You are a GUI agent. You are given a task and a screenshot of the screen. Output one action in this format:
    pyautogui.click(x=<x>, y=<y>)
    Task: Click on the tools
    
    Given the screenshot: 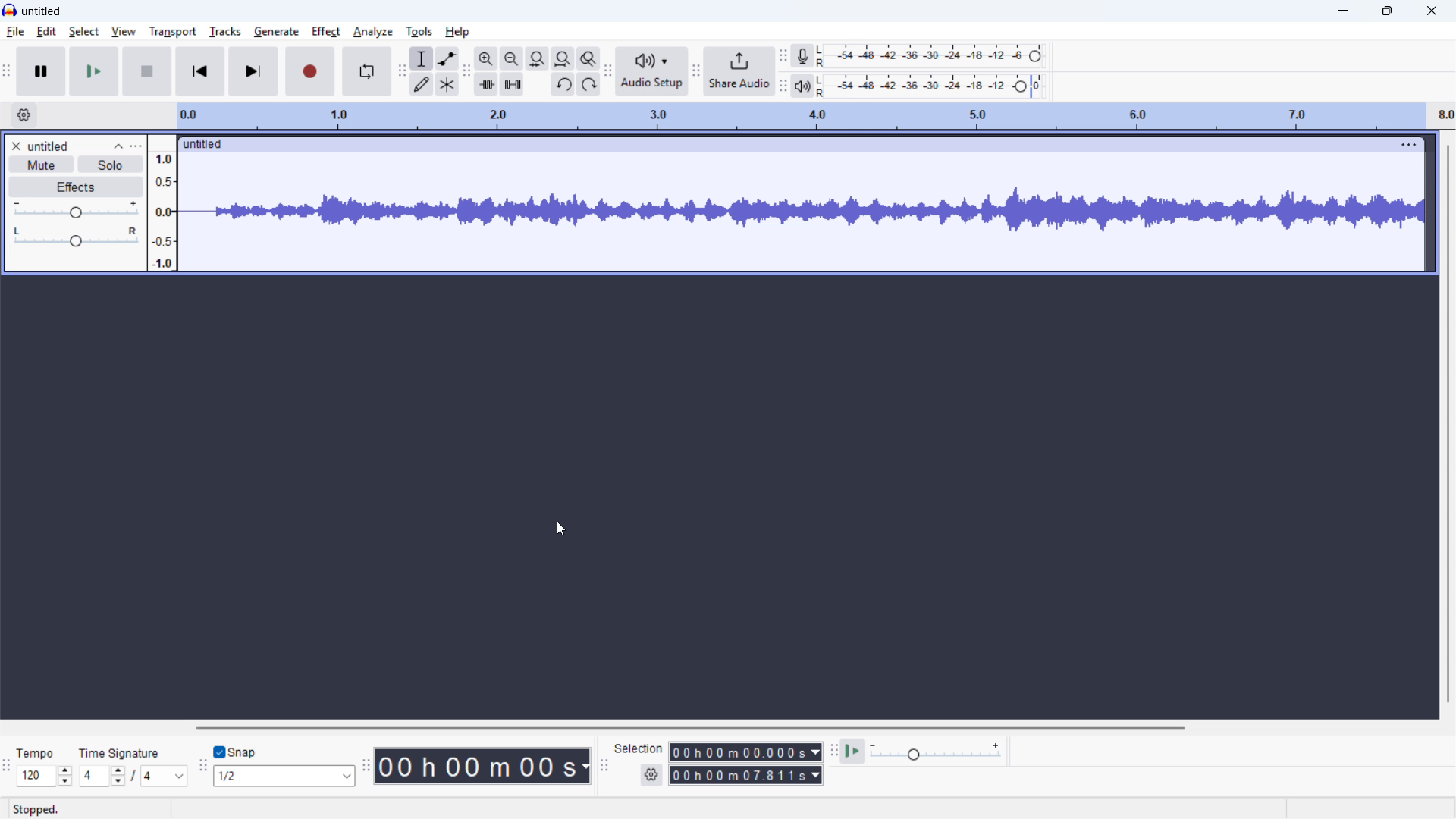 What is the action you would take?
    pyautogui.click(x=419, y=30)
    